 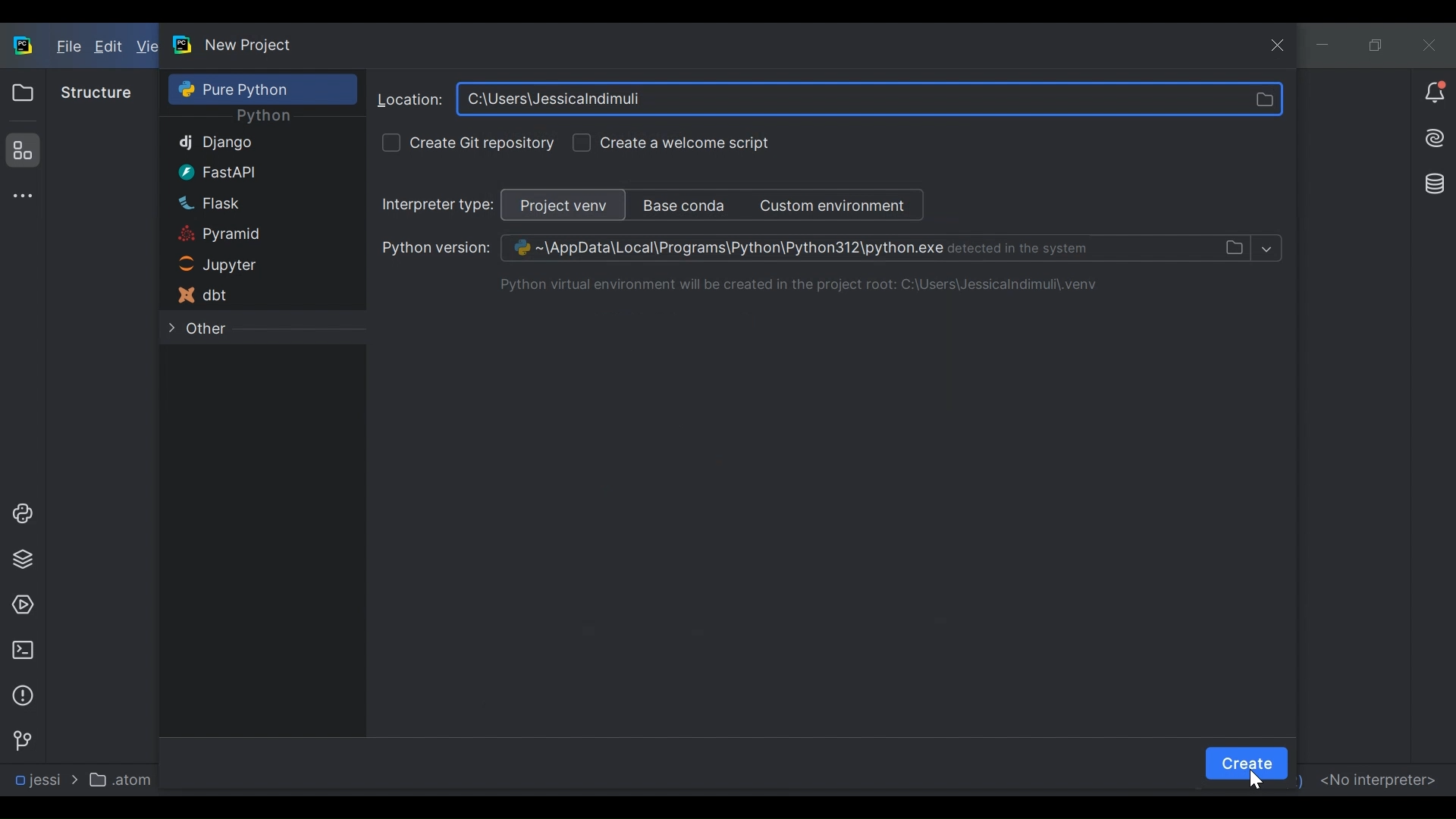 I want to click on Interpretor type, so click(x=427, y=205).